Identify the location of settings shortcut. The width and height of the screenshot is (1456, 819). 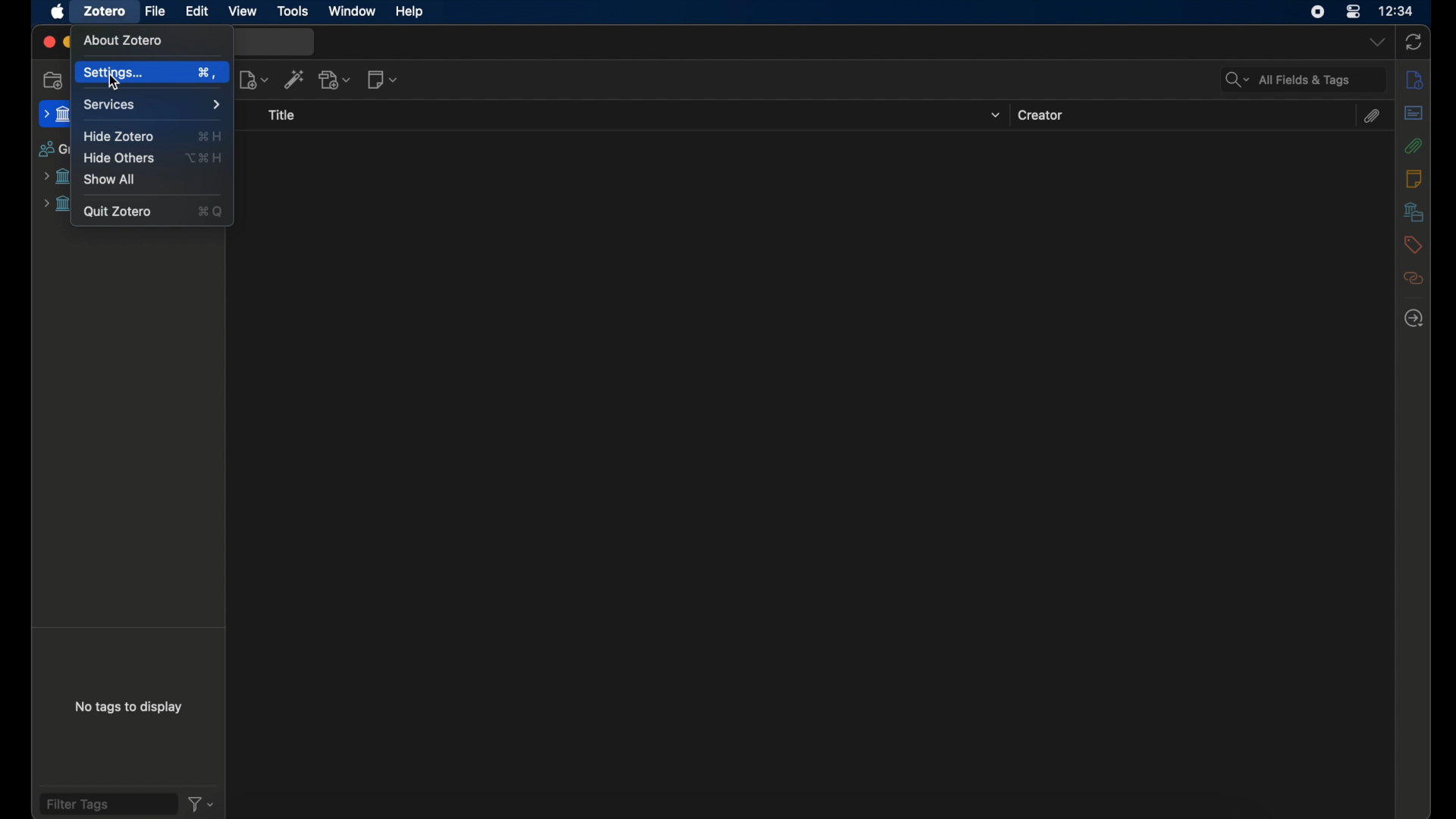
(206, 73).